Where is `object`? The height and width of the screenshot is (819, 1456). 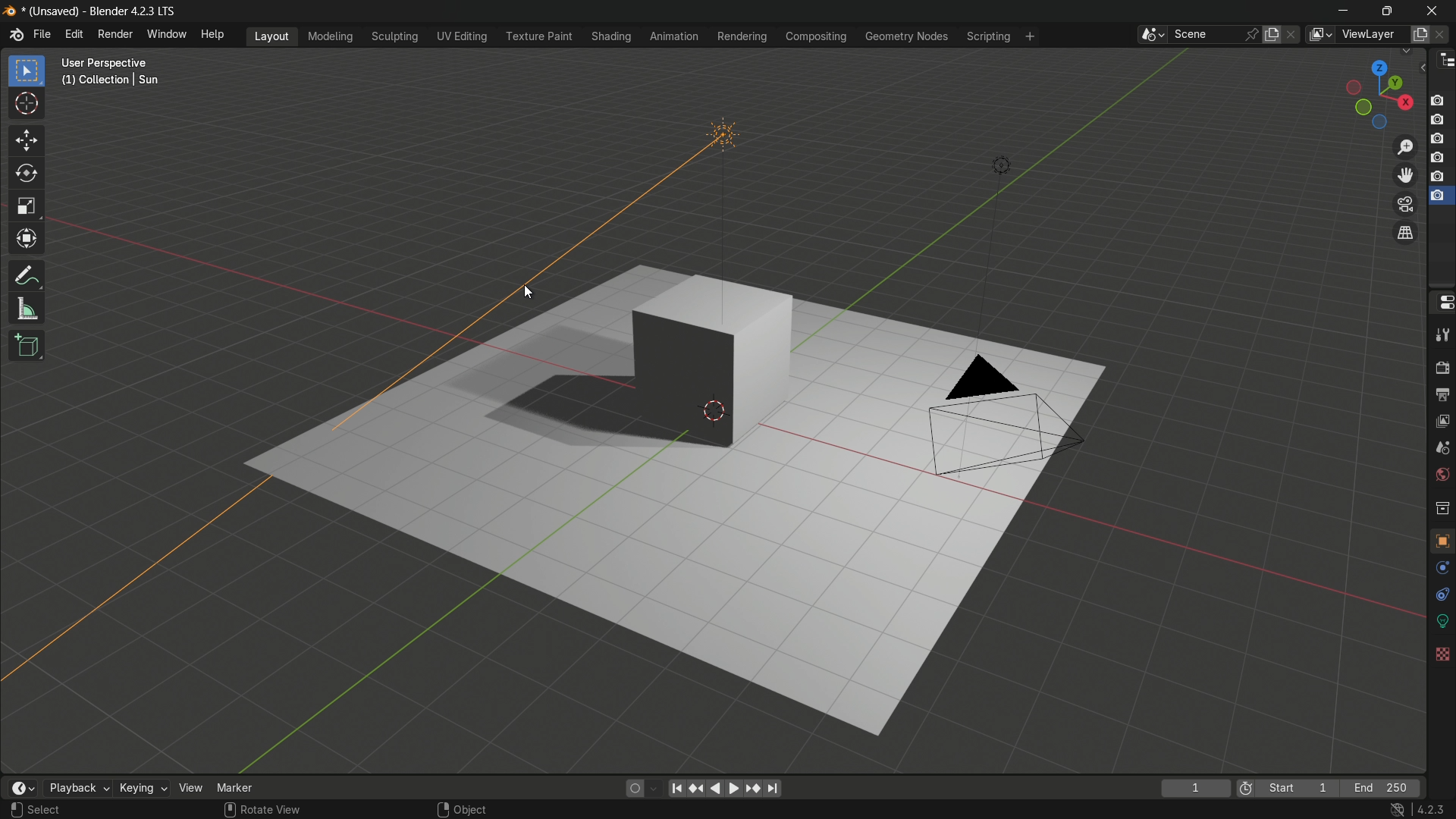
object is located at coordinates (1442, 537).